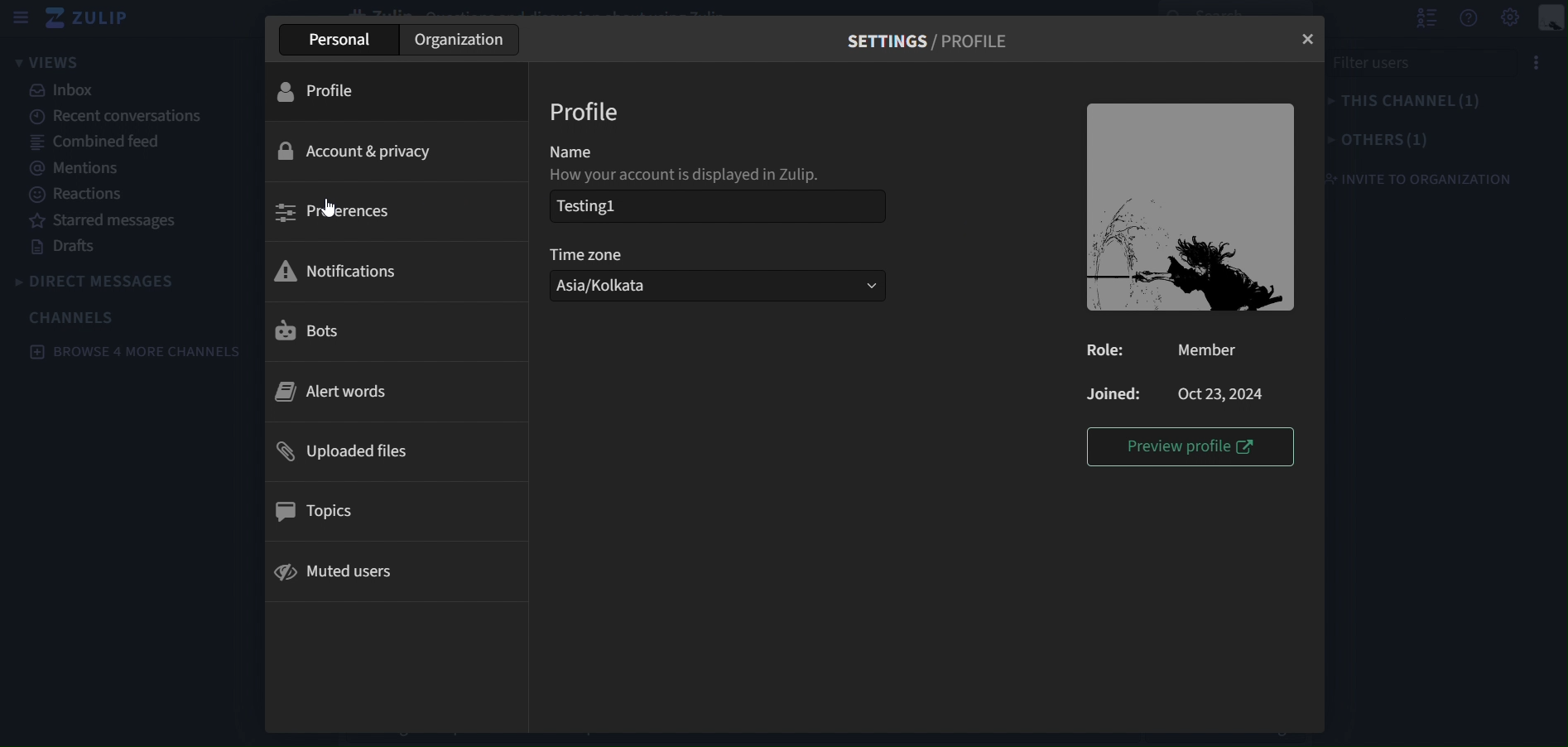  What do you see at coordinates (84, 195) in the screenshot?
I see `reactions` at bounding box center [84, 195].